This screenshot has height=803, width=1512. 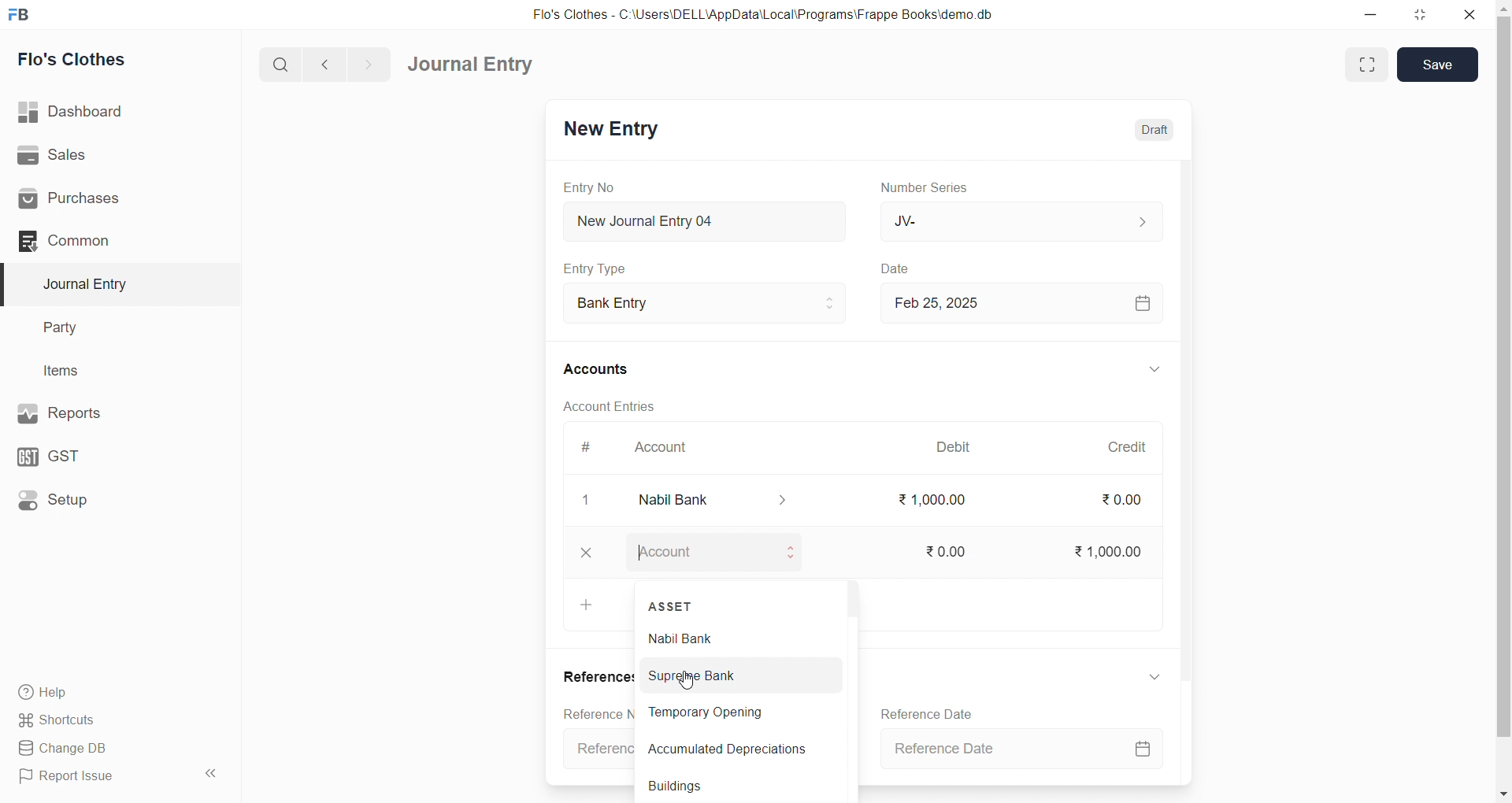 I want to click on Entry Type, so click(x=603, y=268).